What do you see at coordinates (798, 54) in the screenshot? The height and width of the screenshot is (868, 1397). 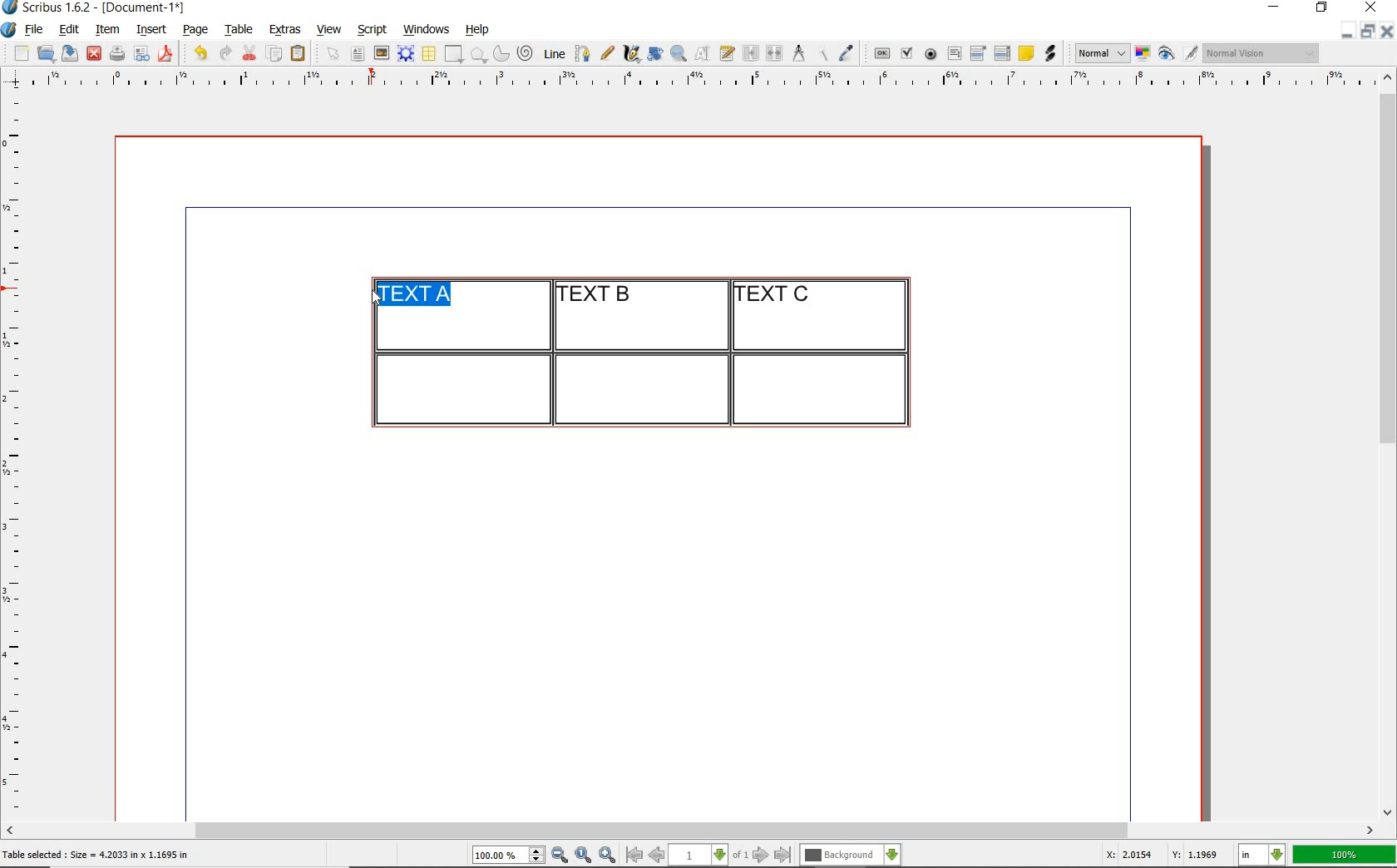 I see `measurements` at bounding box center [798, 54].